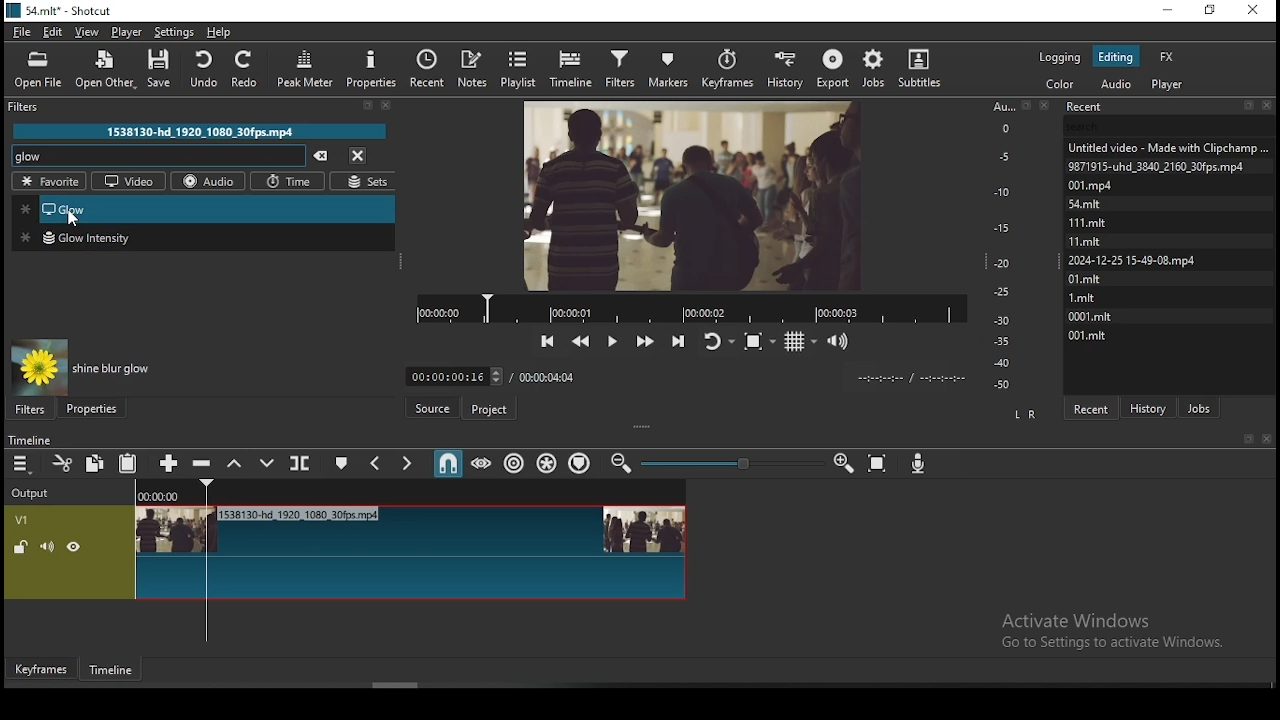 This screenshot has width=1280, height=720. Describe the element at coordinates (128, 32) in the screenshot. I see `player` at that location.